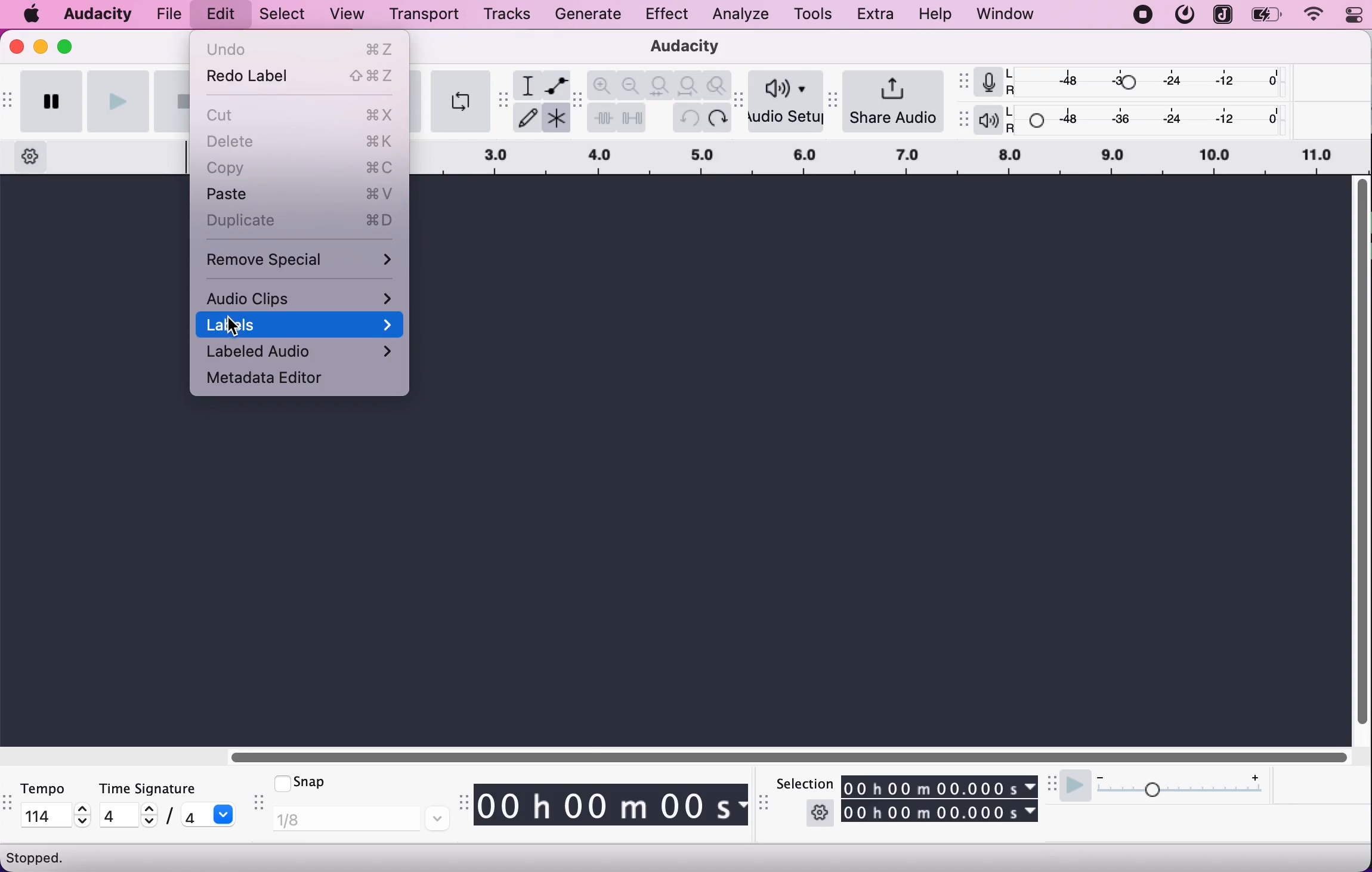 Image resolution: width=1372 pixels, height=872 pixels. Describe the element at coordinates (348, 15) in the screenshot. I see `view` at that location.